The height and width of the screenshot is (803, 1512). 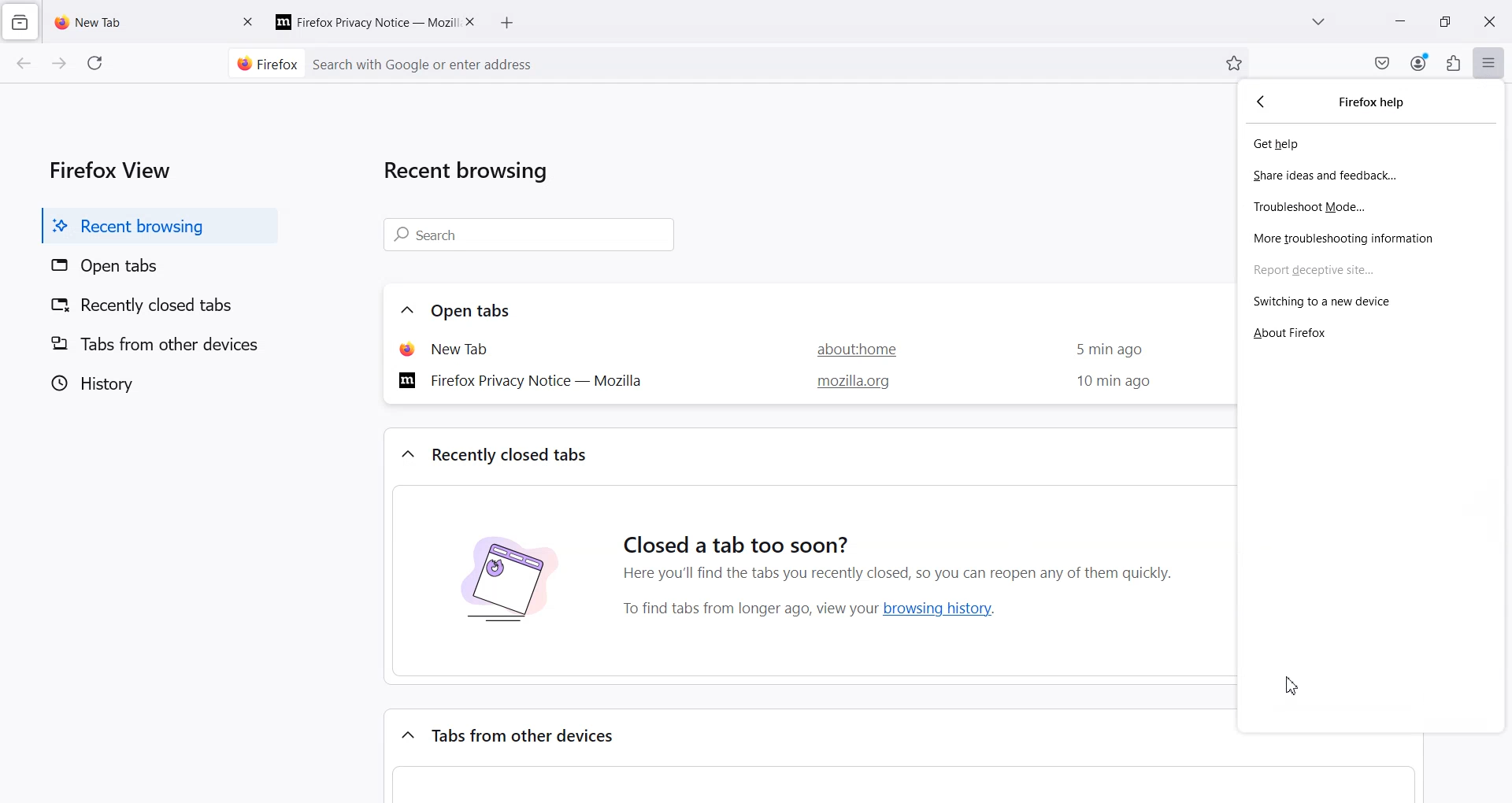 What do you see at coordinates (405, 455) in the screenshot?
I see `Drop down box of recently closed tab` at bounding box center [405, 455].